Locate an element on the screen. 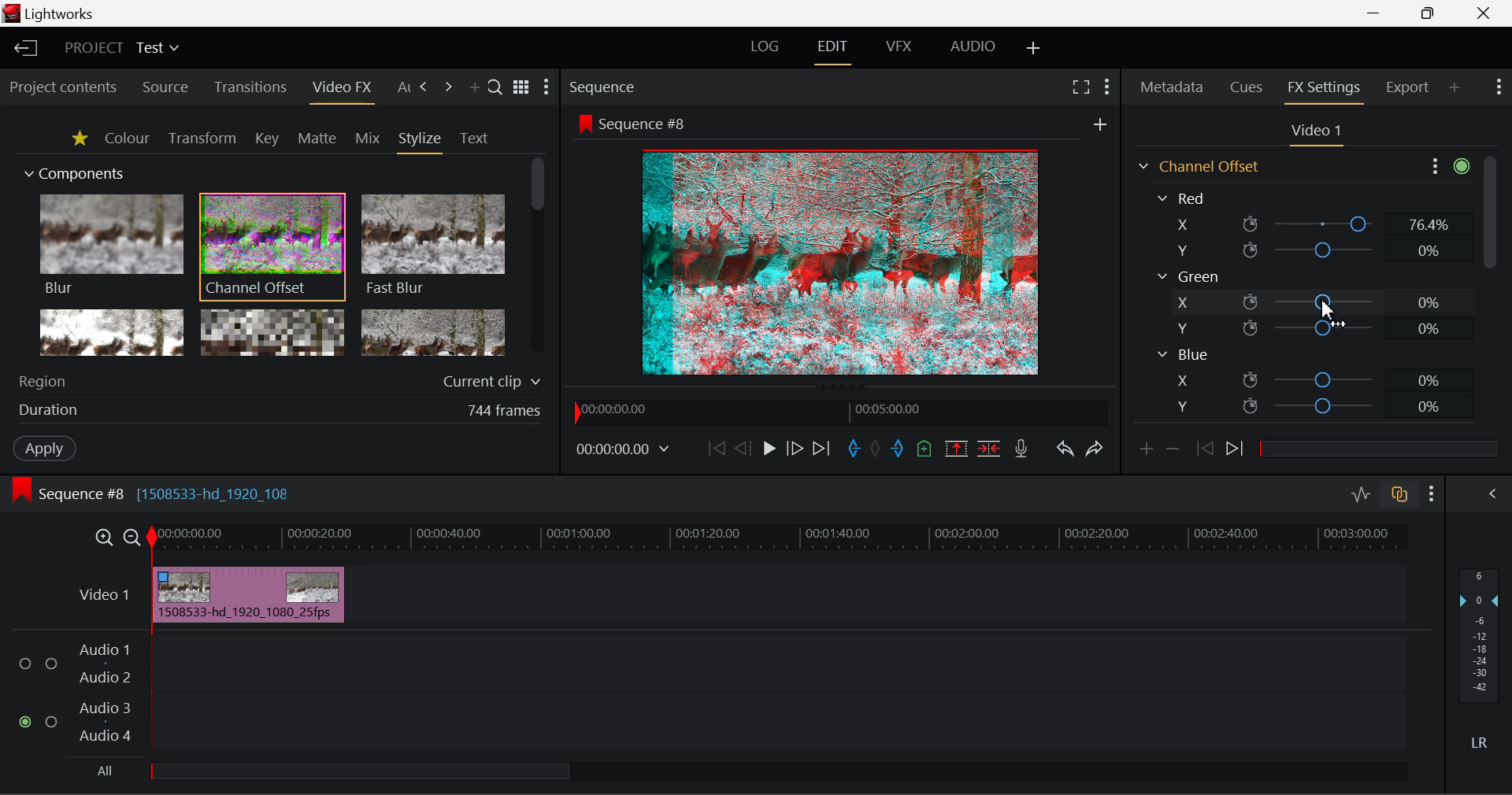 Image resolution: width=1512 pixels, height=795 pixels. Frame Time is located at coordinates (623, 451).